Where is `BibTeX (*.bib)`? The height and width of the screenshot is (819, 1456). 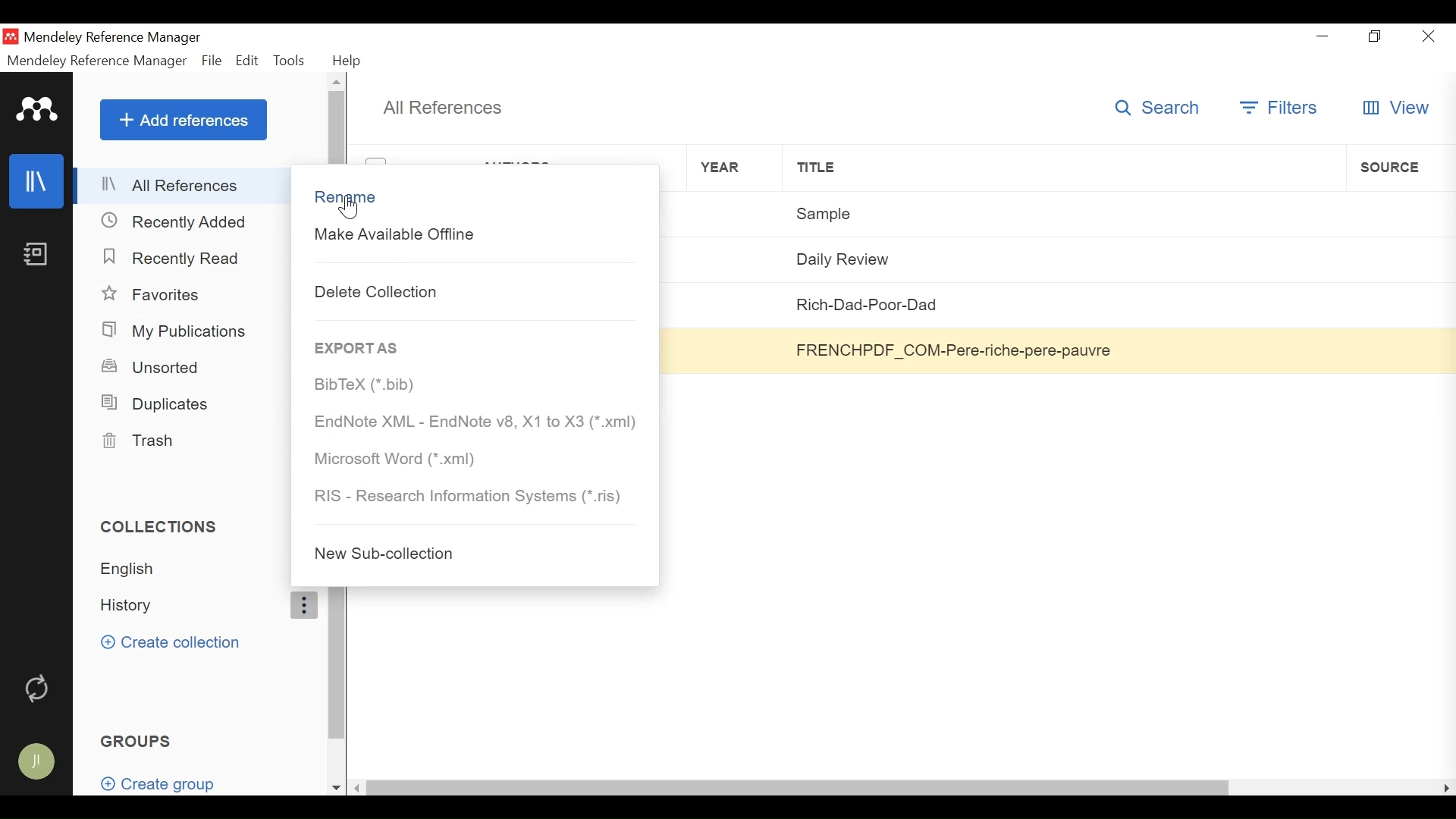 BibTeX (*.bib) is located at coordinates (472, 385).